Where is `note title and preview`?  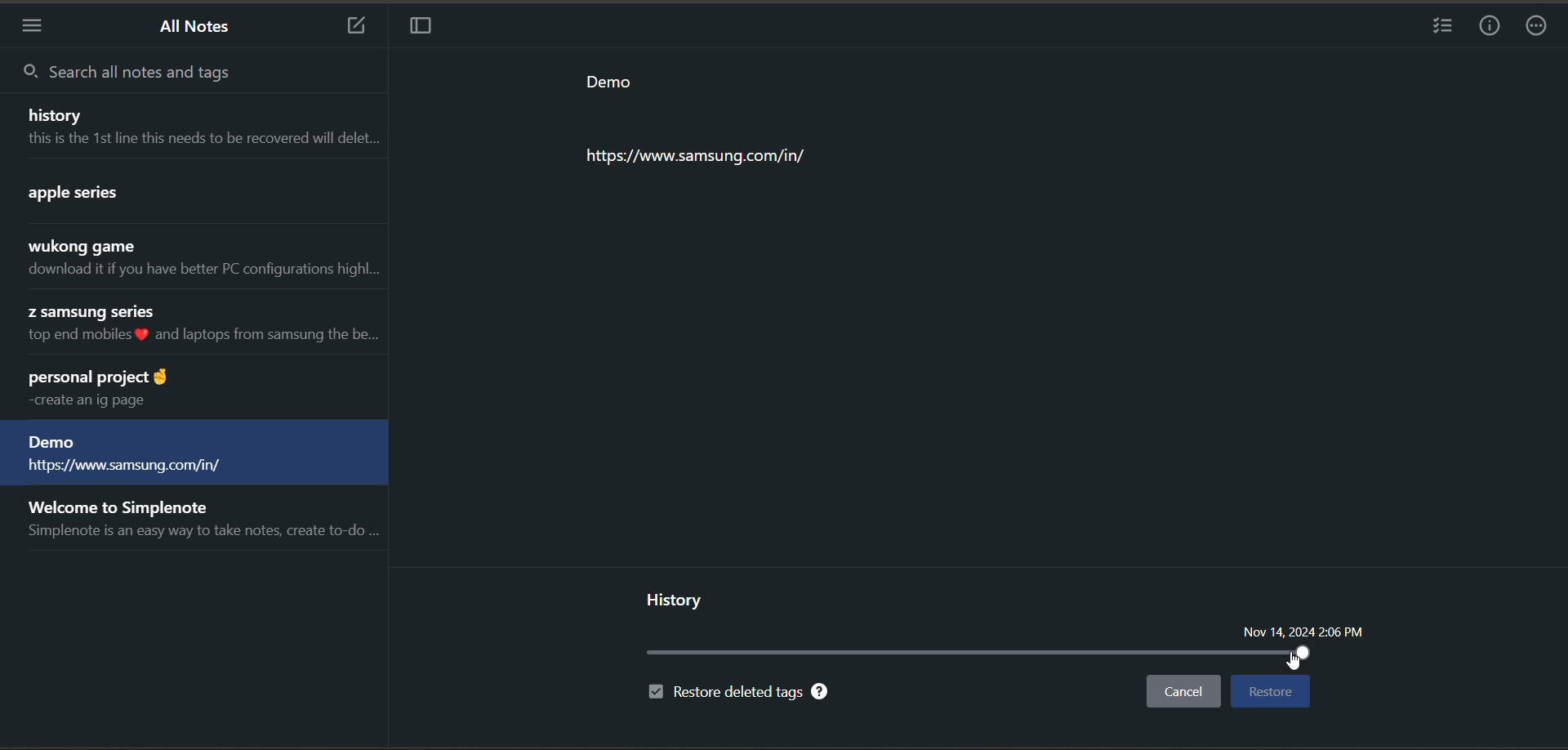
note title and preview is located at coordinates (201, 523).